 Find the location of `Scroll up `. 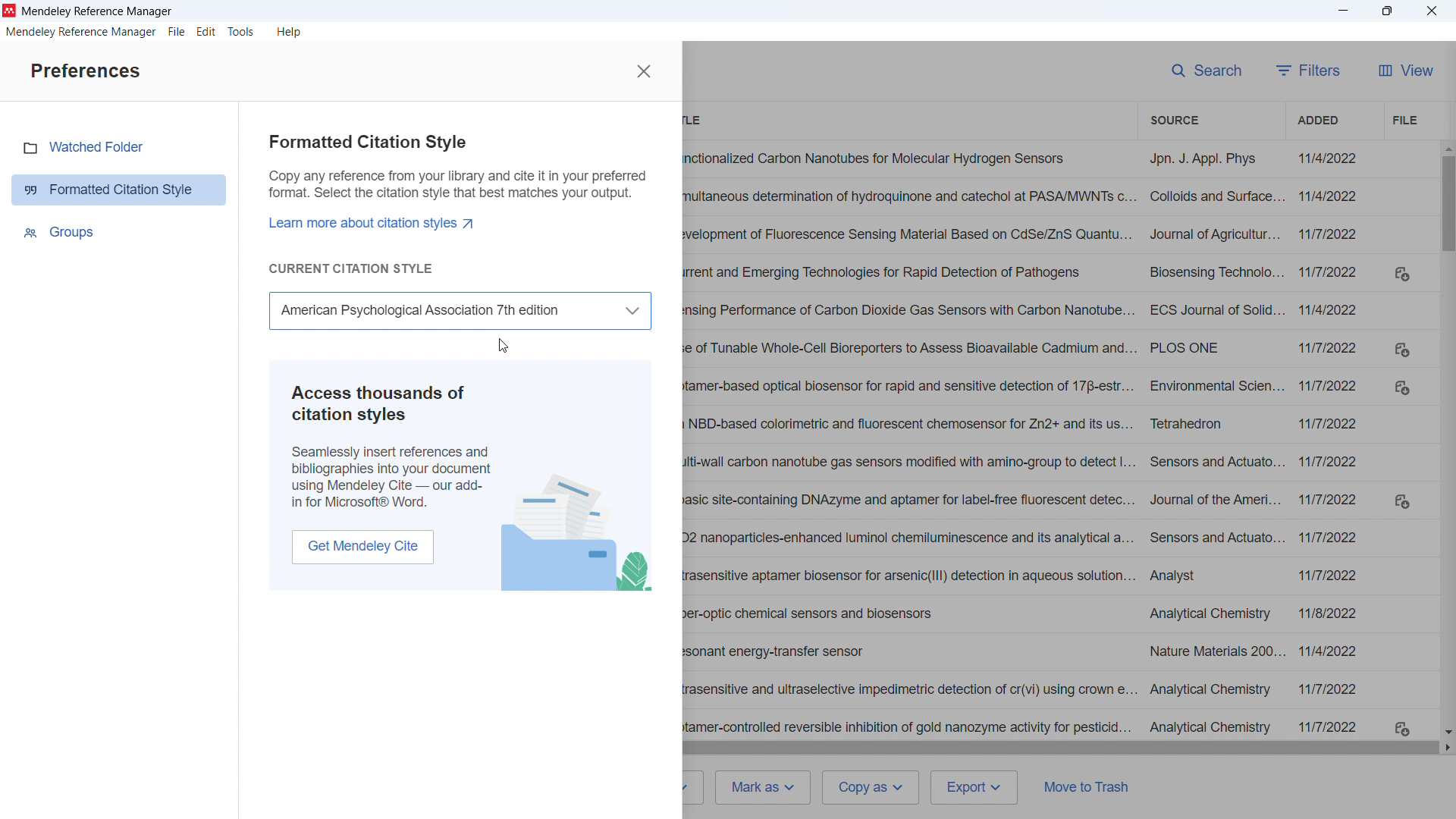

Scroll up  is located at coordinates (1447, 149).